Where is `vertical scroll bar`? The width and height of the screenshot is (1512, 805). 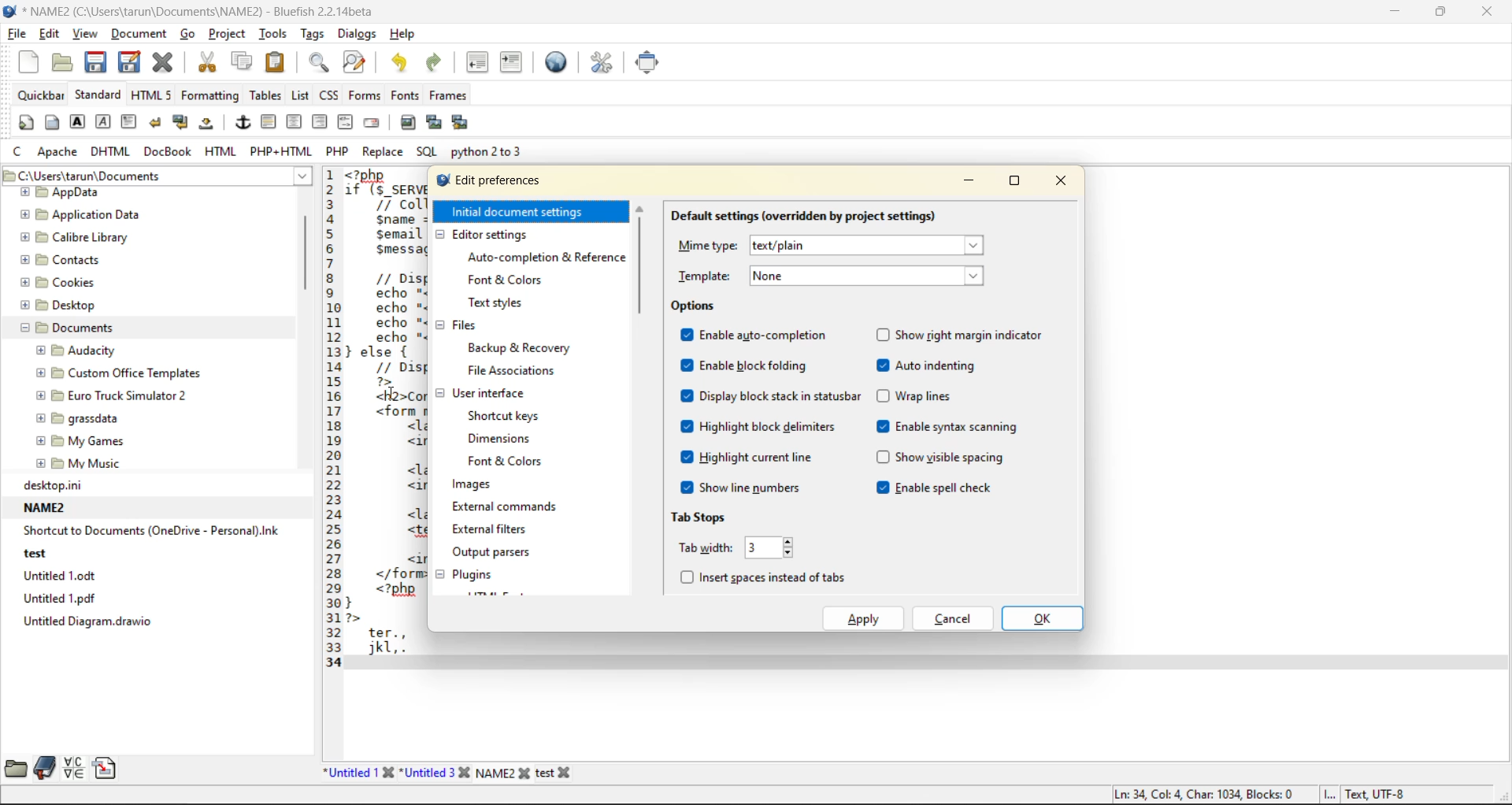
vertical scroll bar is located at coordinates (642, 269).